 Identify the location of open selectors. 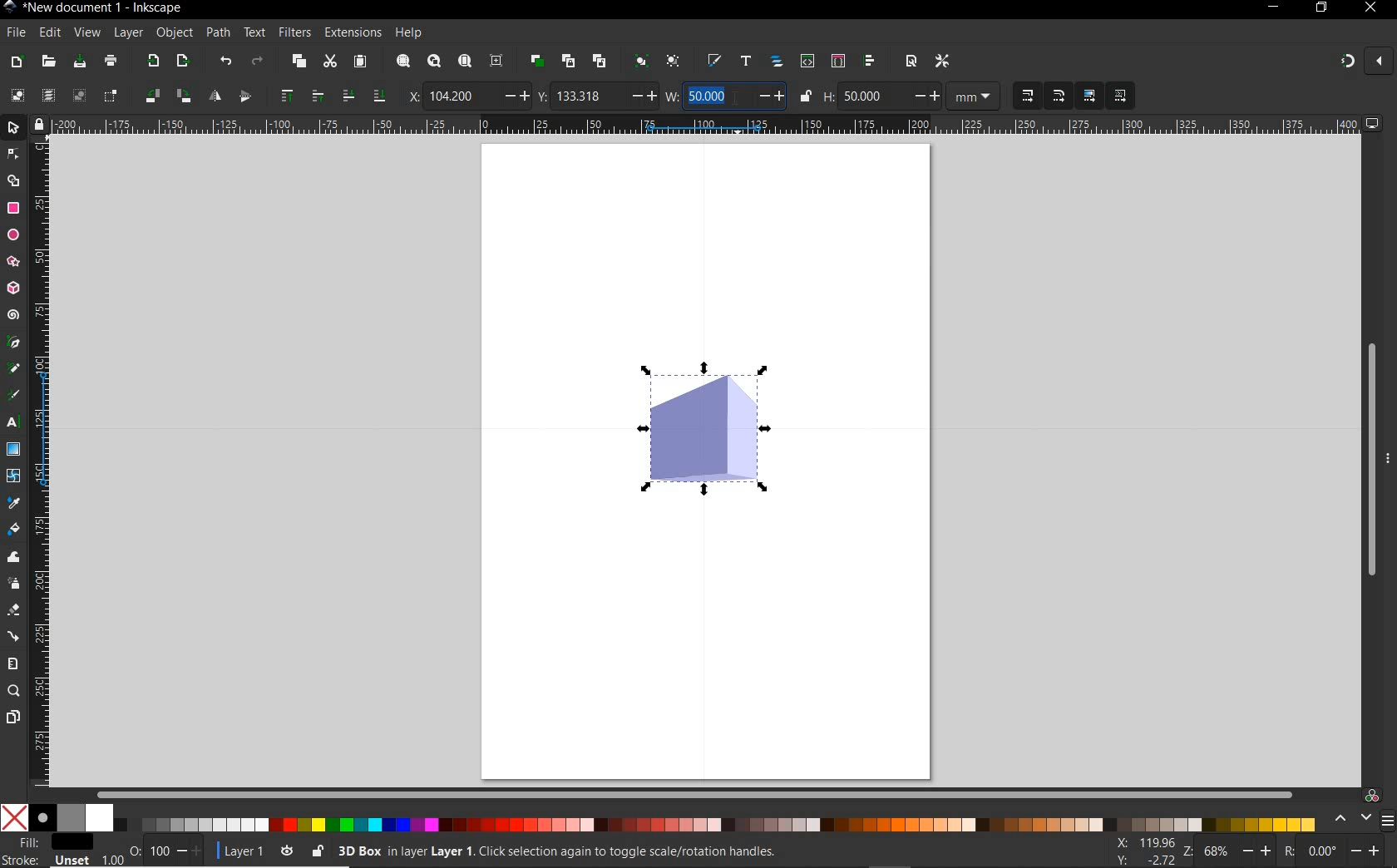
(837, 60).